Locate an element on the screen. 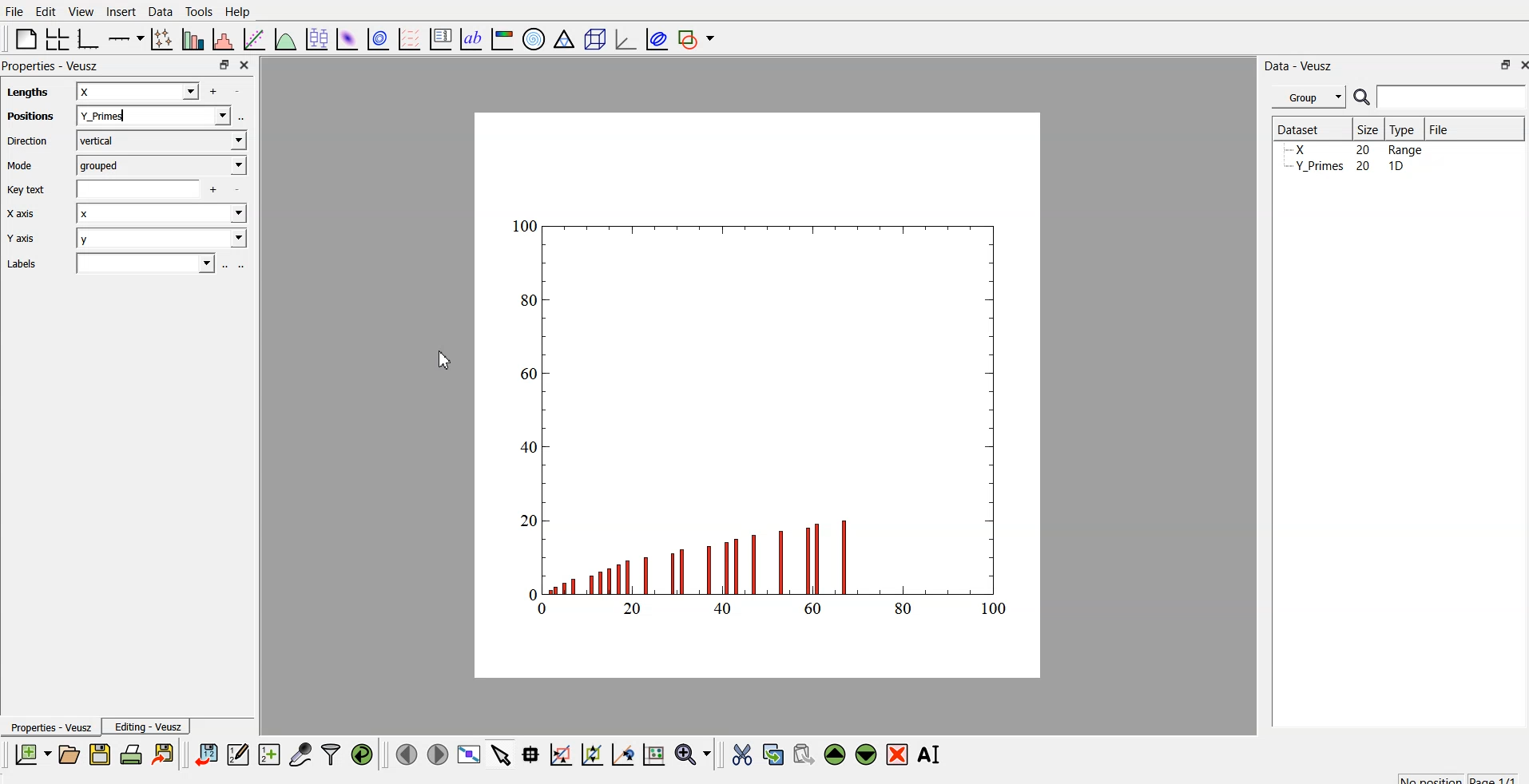  plot a vector field is located at coordinates (411, 38).